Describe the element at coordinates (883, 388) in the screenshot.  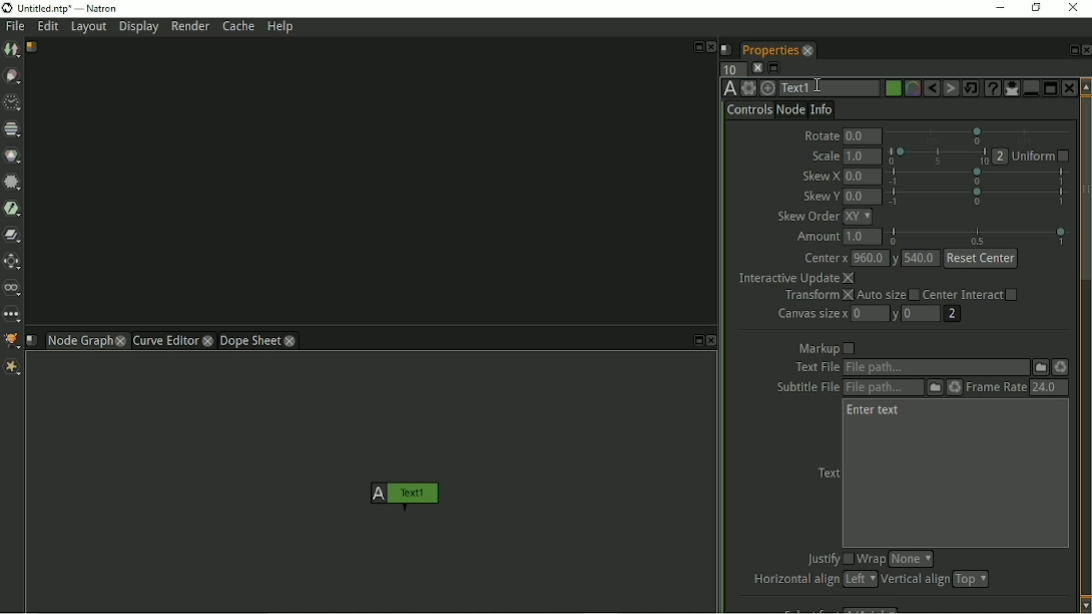
I see `file path` at that location.